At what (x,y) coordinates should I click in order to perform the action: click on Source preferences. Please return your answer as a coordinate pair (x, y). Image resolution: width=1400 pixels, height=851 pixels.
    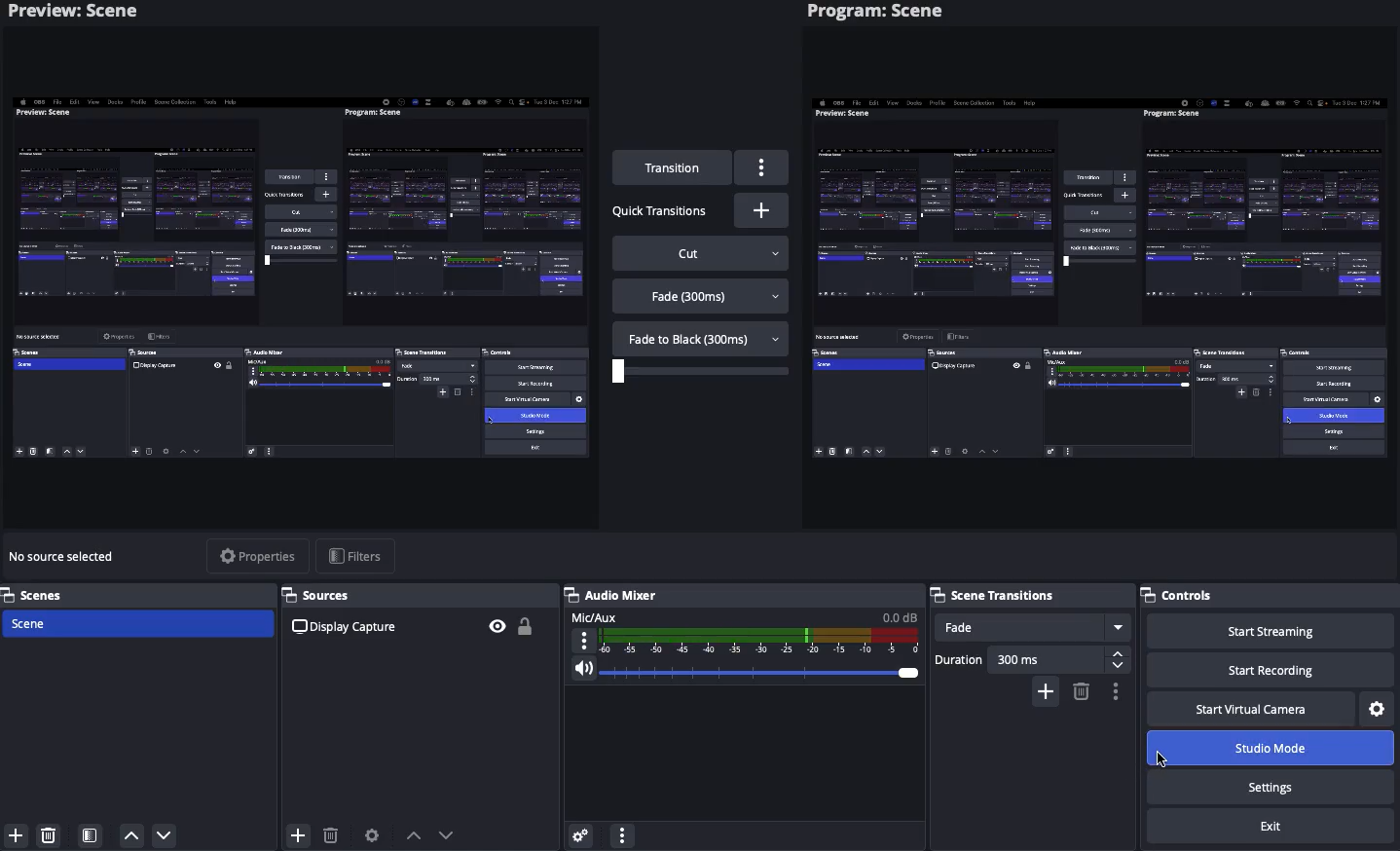
    Looking at the image, I should click on (370, 835).